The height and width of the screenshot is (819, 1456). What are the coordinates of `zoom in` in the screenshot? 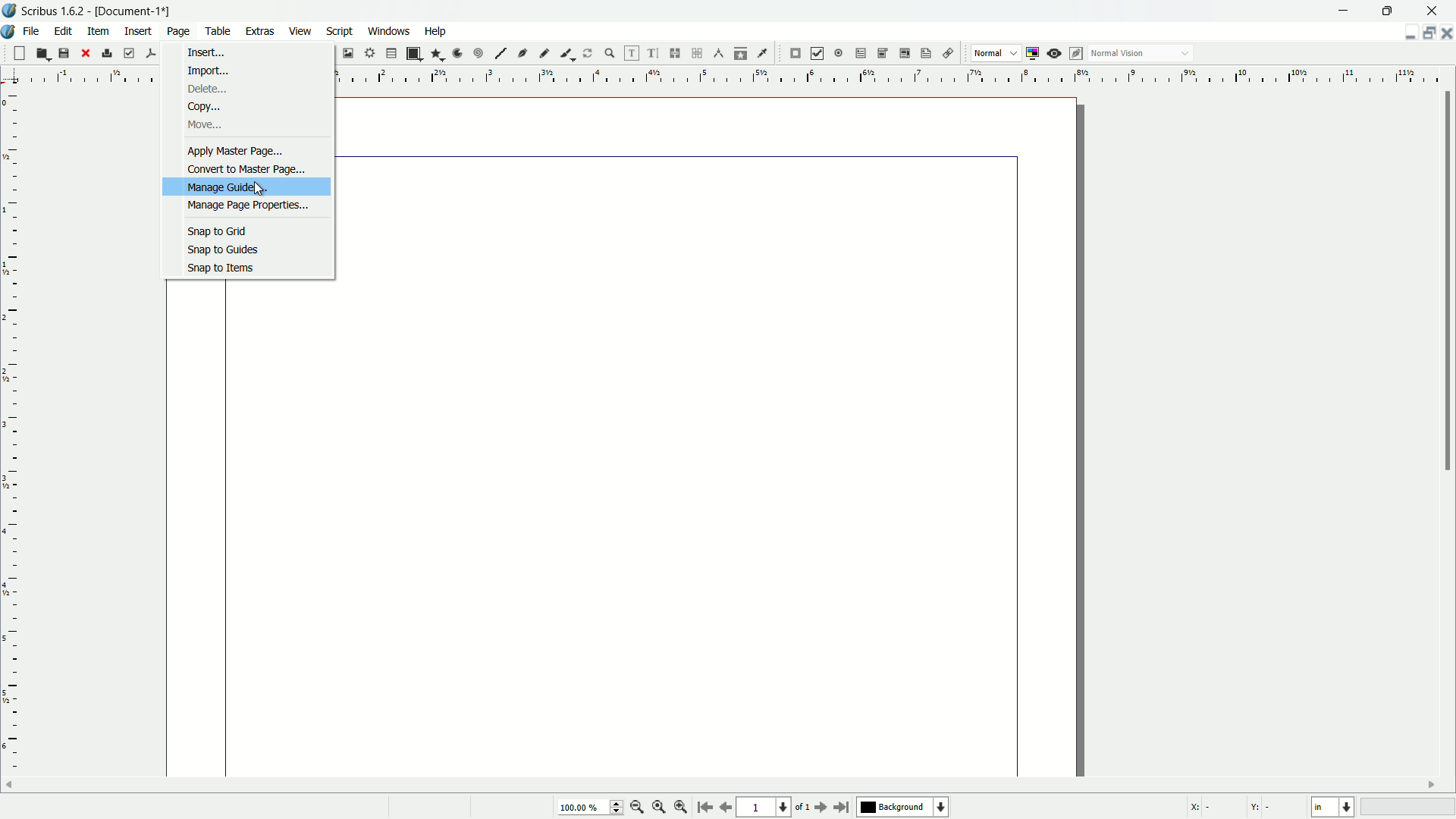 It's located at (681, 808).